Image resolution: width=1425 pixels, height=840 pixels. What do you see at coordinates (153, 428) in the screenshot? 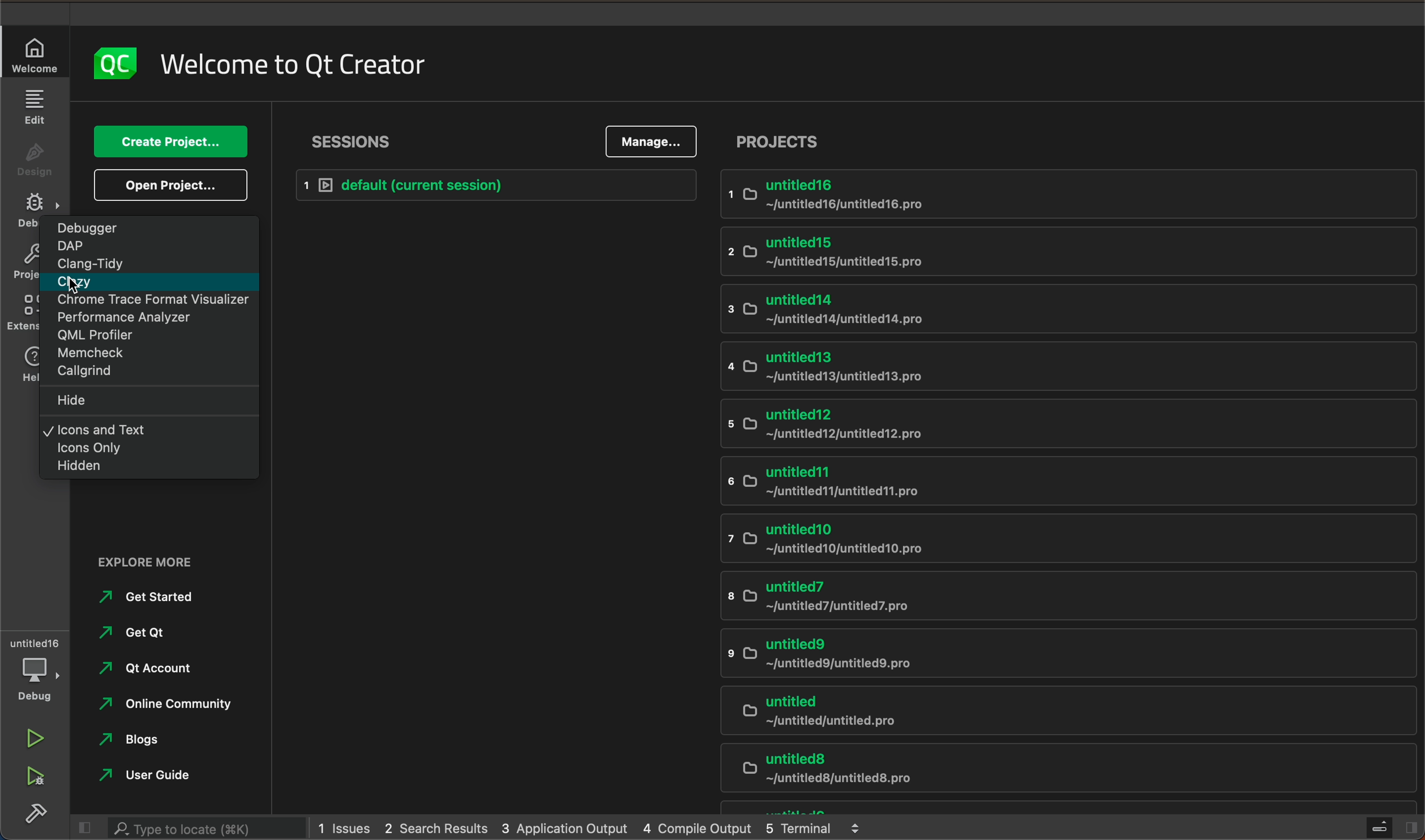
I see `icon and text` at bounding box center [153, 428].